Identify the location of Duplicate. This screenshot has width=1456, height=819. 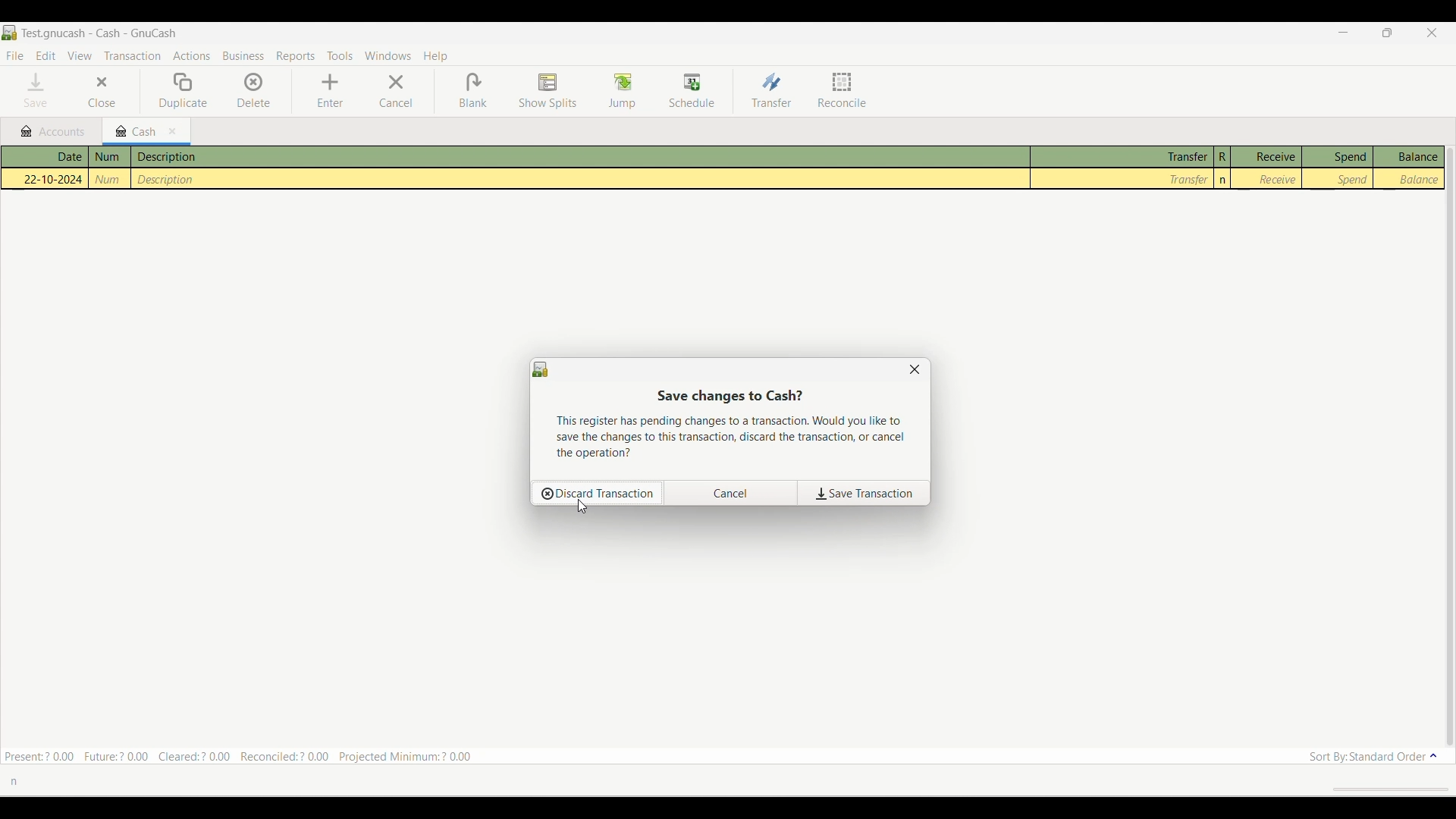
(183, 91).